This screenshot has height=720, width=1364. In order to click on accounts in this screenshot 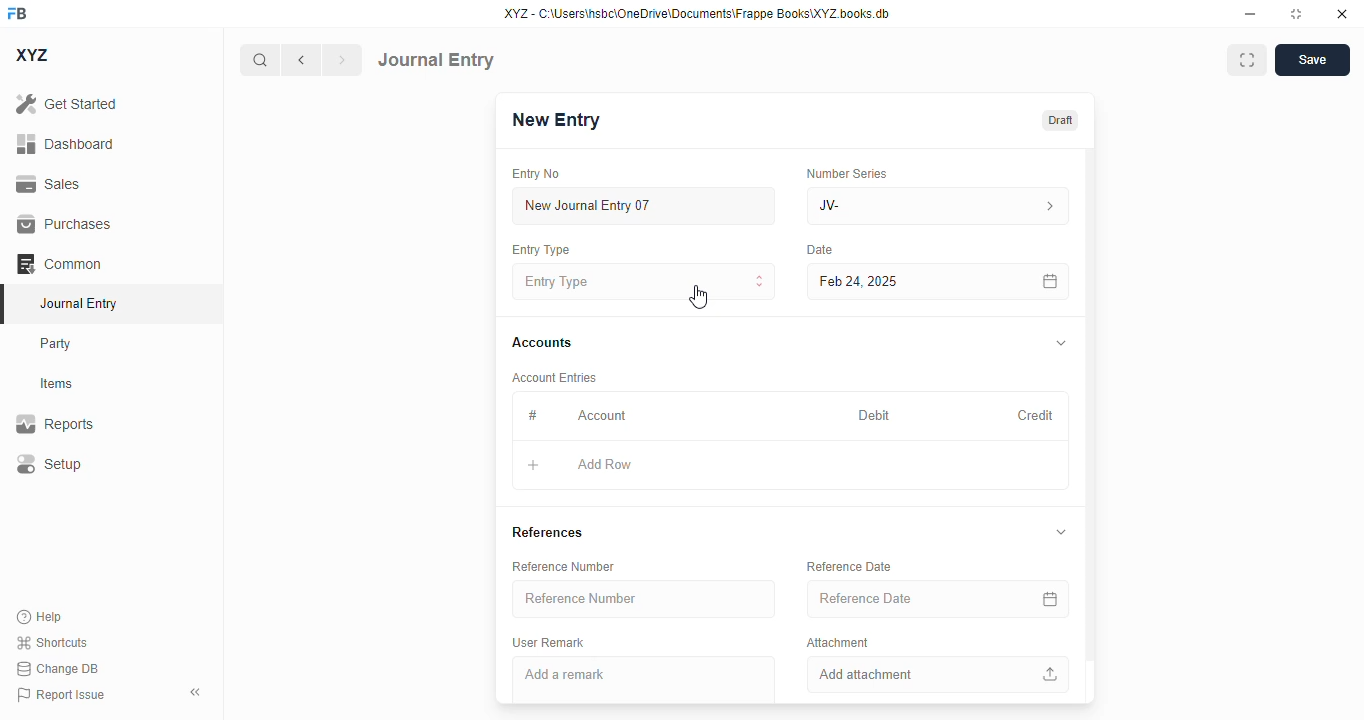, I will do `click(542, 344)`.